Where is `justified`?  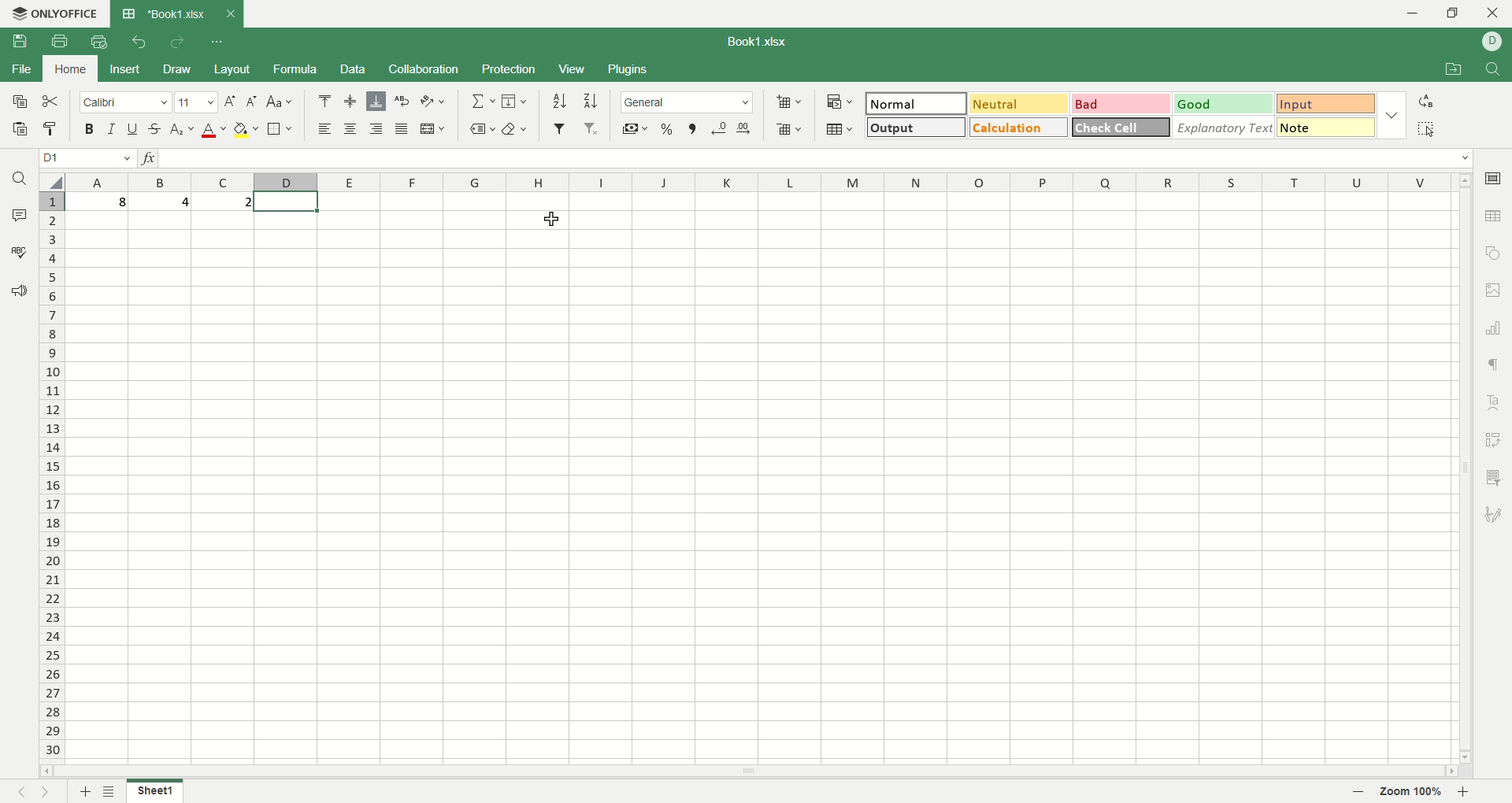
justified is located at coordinates (403, 129).